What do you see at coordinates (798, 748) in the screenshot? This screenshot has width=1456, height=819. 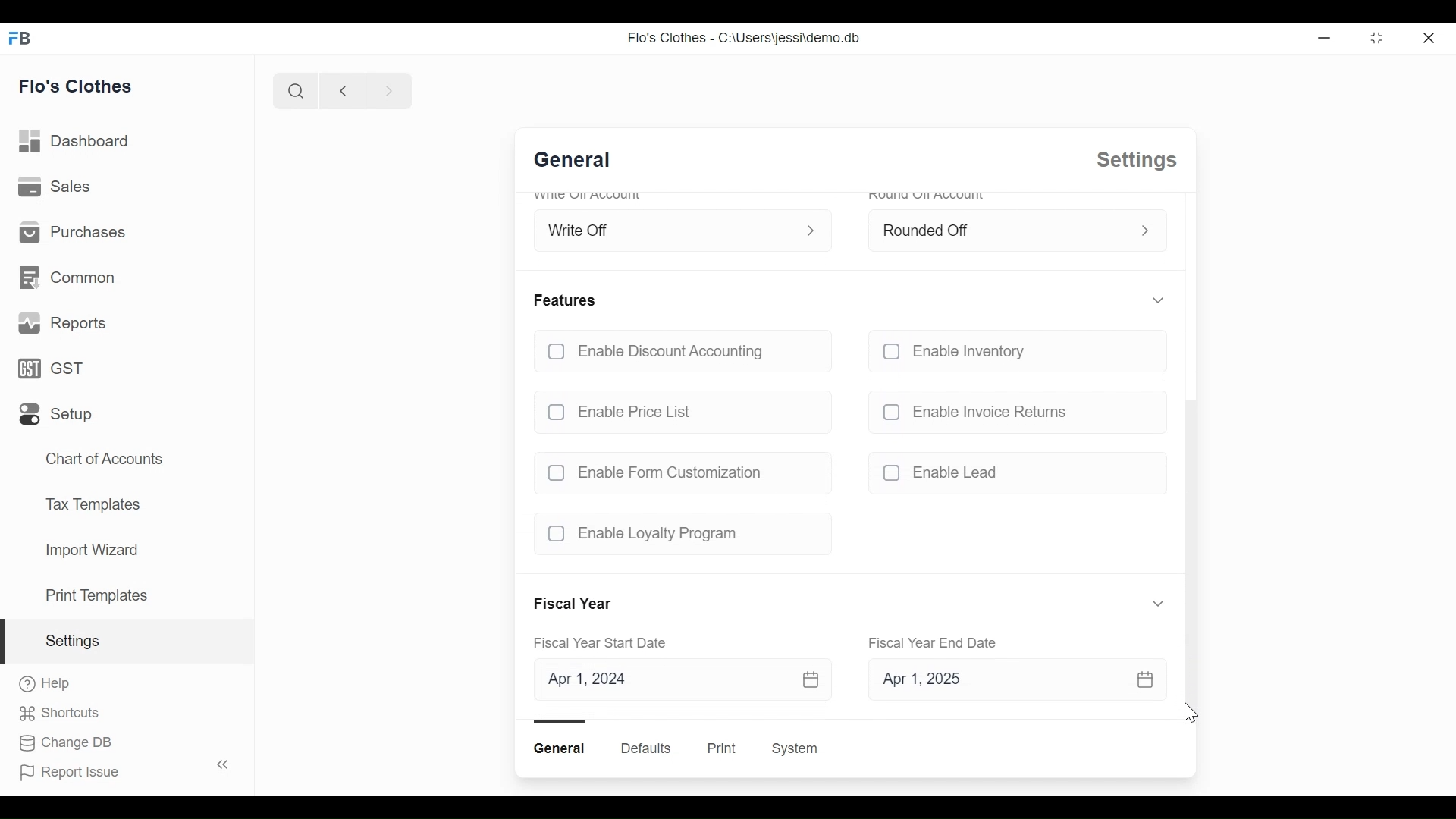 I see `System` at bounding box center [798, 748].